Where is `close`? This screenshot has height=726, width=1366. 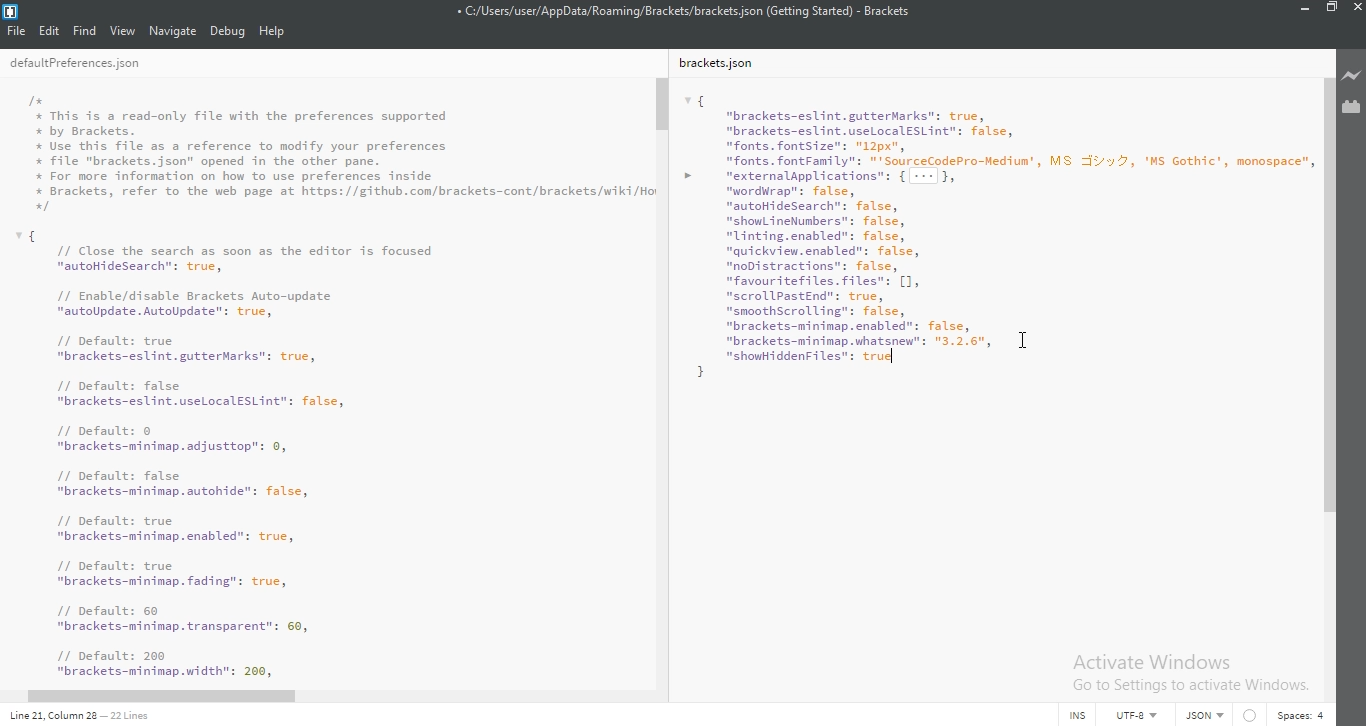
close is located at coordinates (1356, 12).